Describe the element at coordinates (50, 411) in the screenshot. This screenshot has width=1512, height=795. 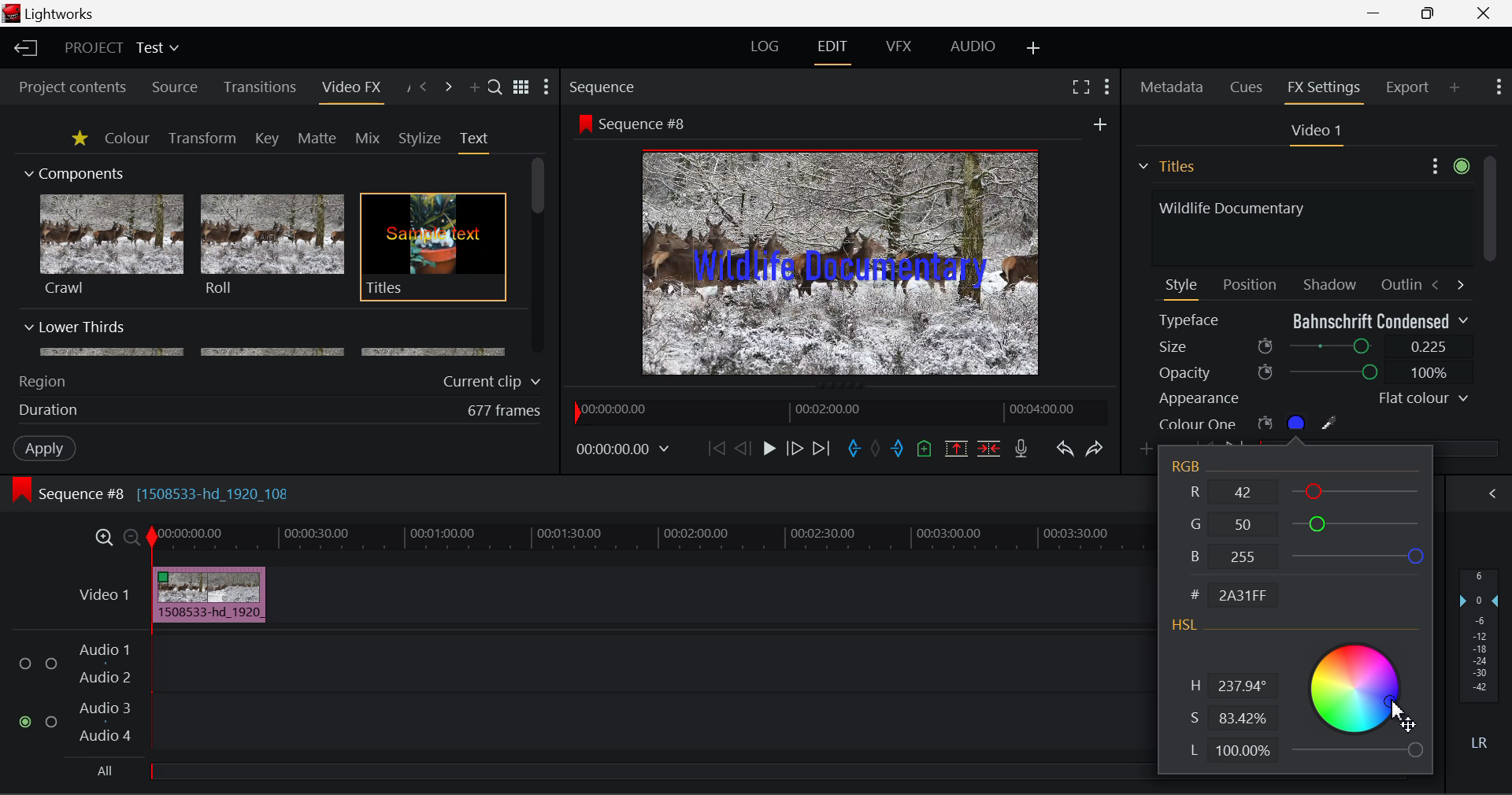
I see `Duration` at that location.